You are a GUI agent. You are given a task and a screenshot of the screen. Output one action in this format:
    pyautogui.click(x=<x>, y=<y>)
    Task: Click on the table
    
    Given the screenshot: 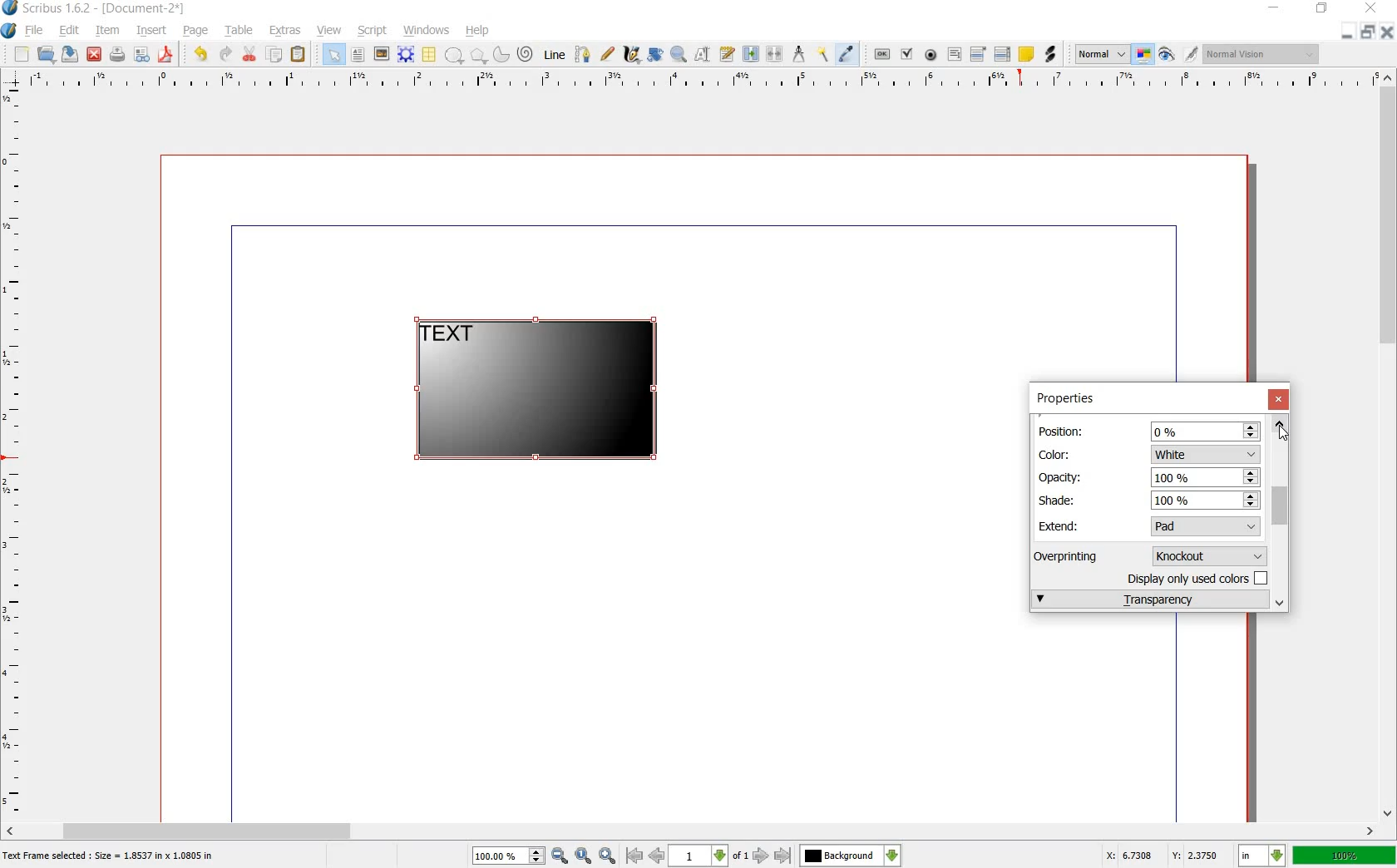 What is the action you would take?
    pyautogui.click(x=240, y=32)
    